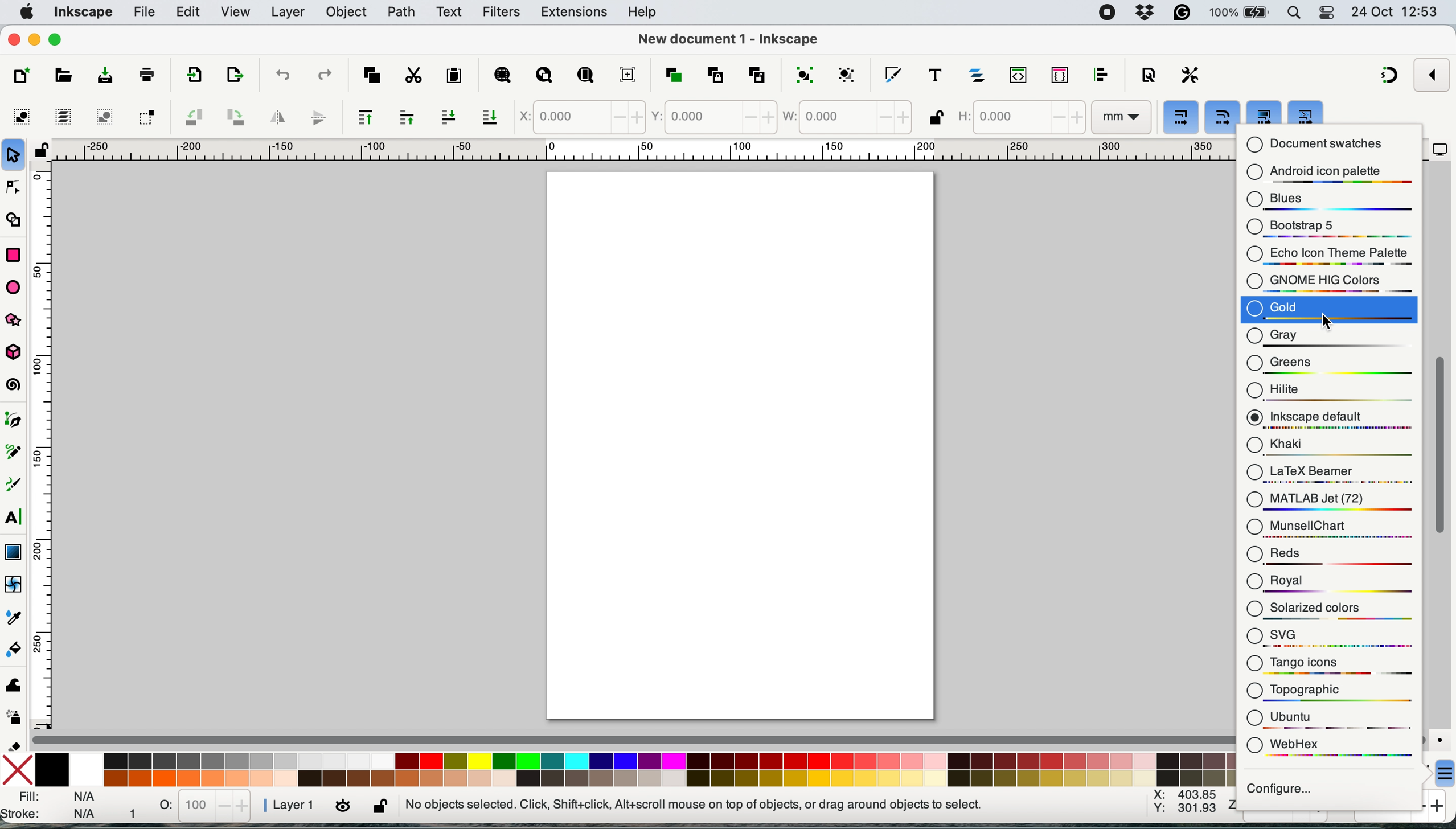 Image resolution: width=1456 pixels, height=829 pixels. Describe the element at coordinates (934, 118) in the screenshot. I see `when locked change height and width by same proportion` at that location.